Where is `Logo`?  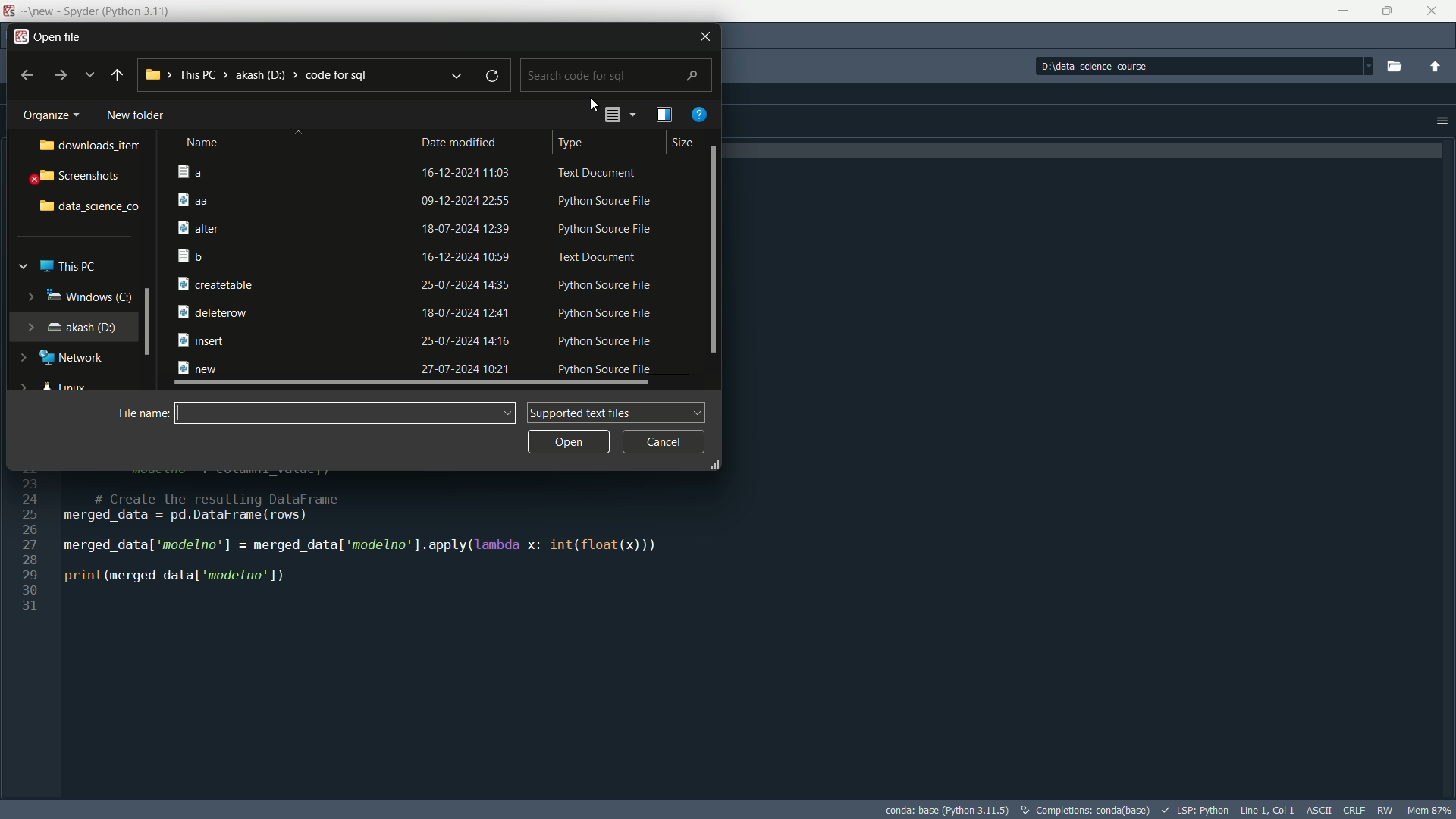
Logo is located at coordinates (11, 9).